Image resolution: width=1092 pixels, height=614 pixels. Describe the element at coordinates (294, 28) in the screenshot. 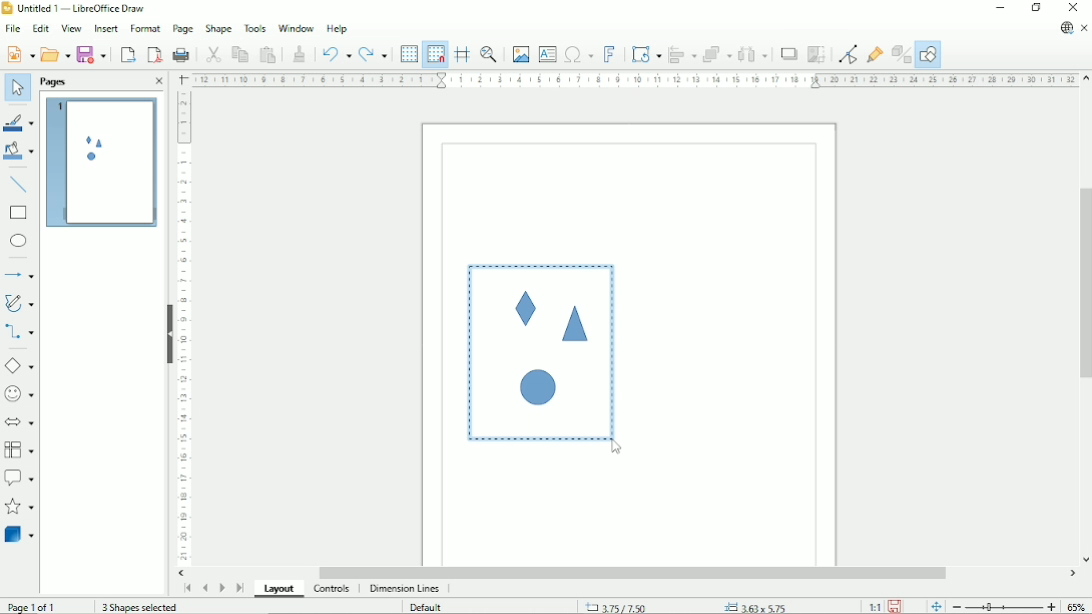

I see `Window` at that location.